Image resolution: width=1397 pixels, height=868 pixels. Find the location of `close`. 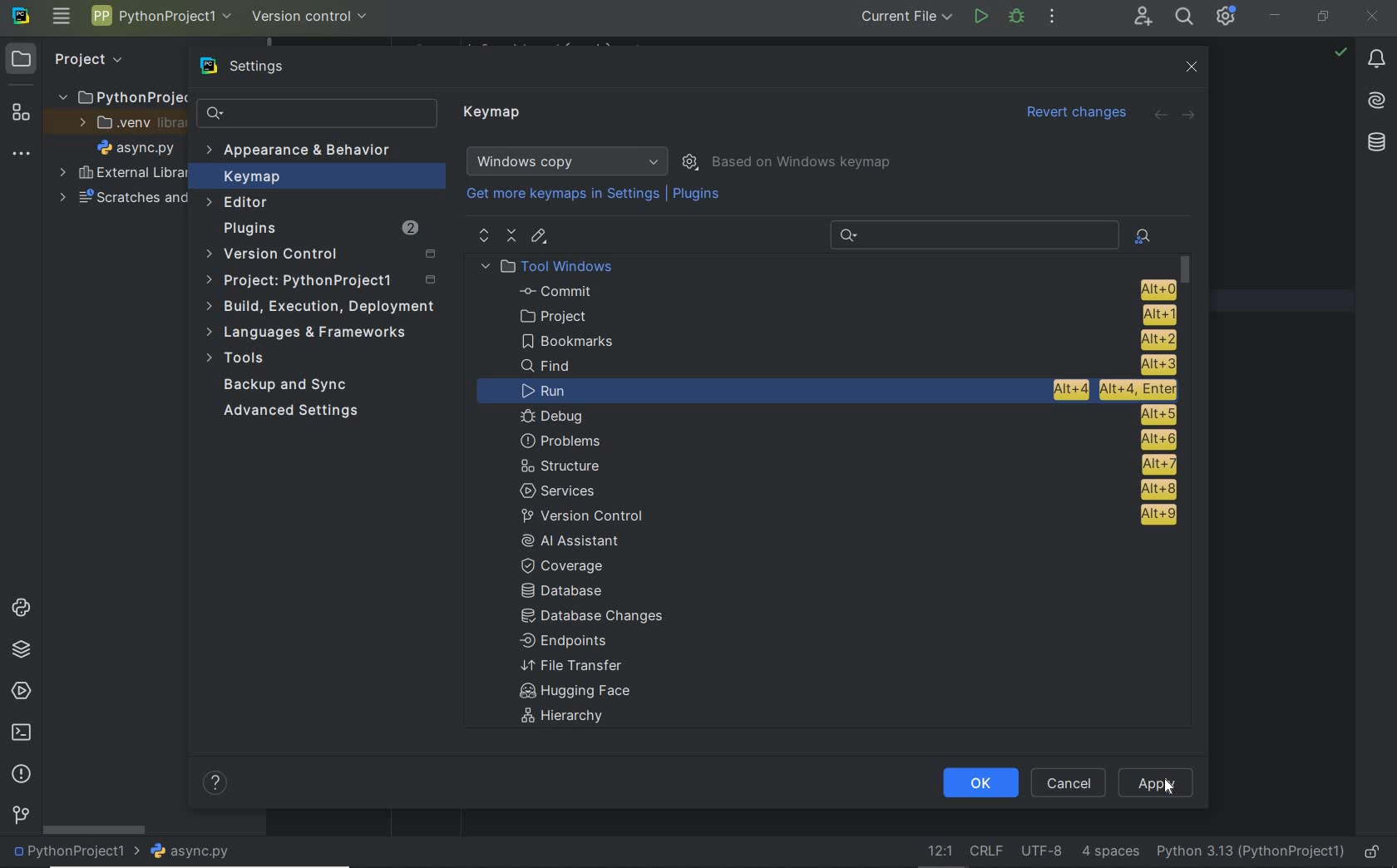

close is located at coordinates (1190, 67).